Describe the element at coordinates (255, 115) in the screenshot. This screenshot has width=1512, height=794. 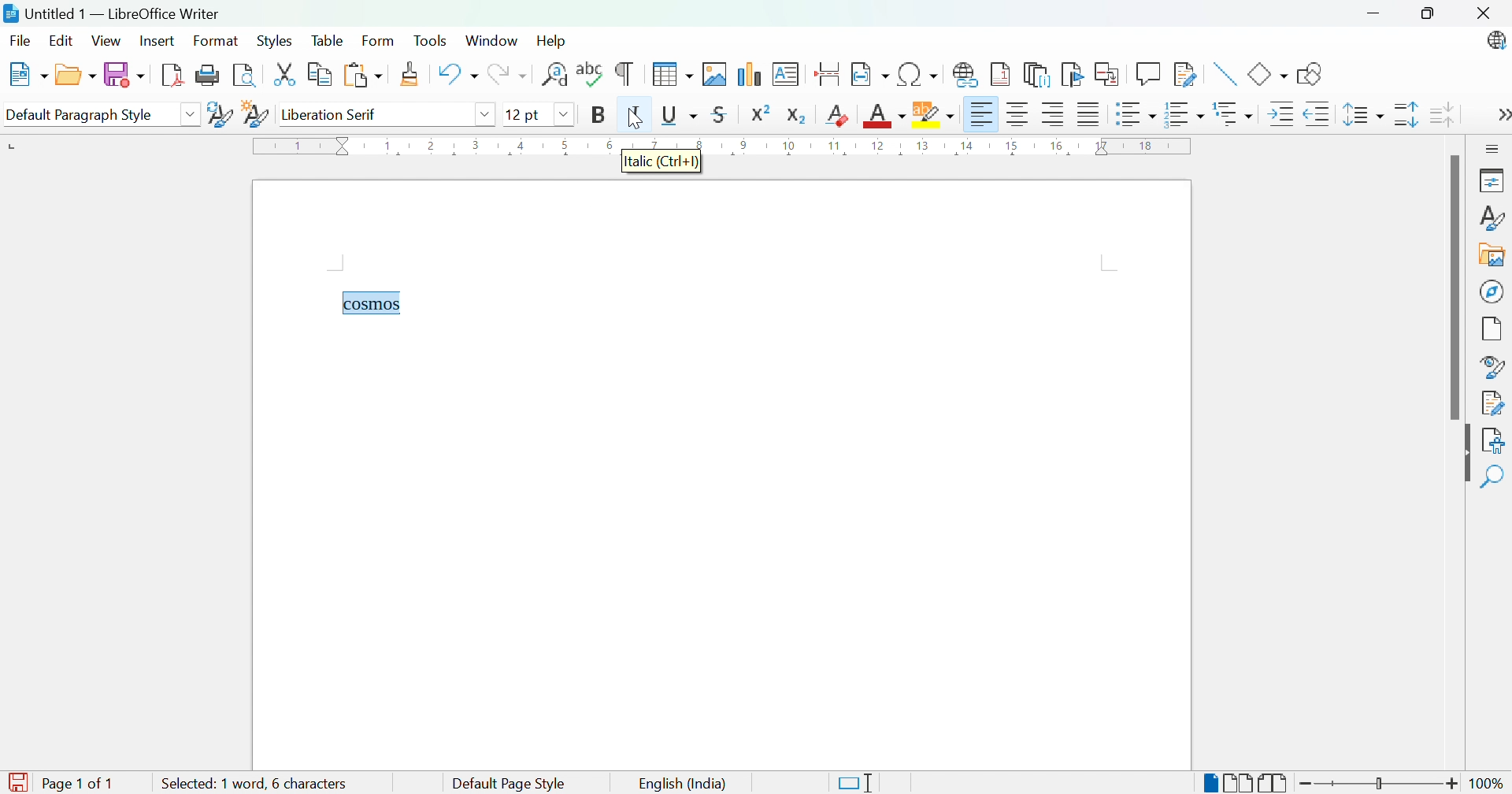
I see `New style from selection` at that location.